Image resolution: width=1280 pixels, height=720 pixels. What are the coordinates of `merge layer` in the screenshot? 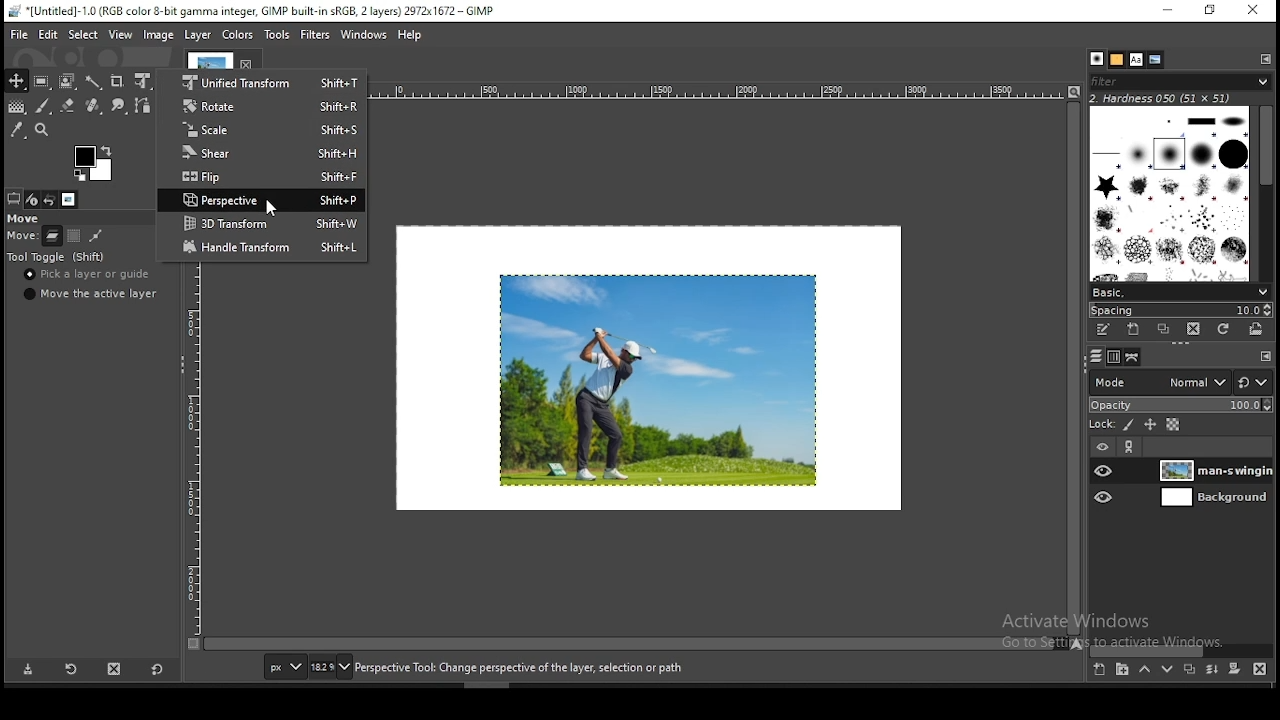 It's located at (1212, 667).